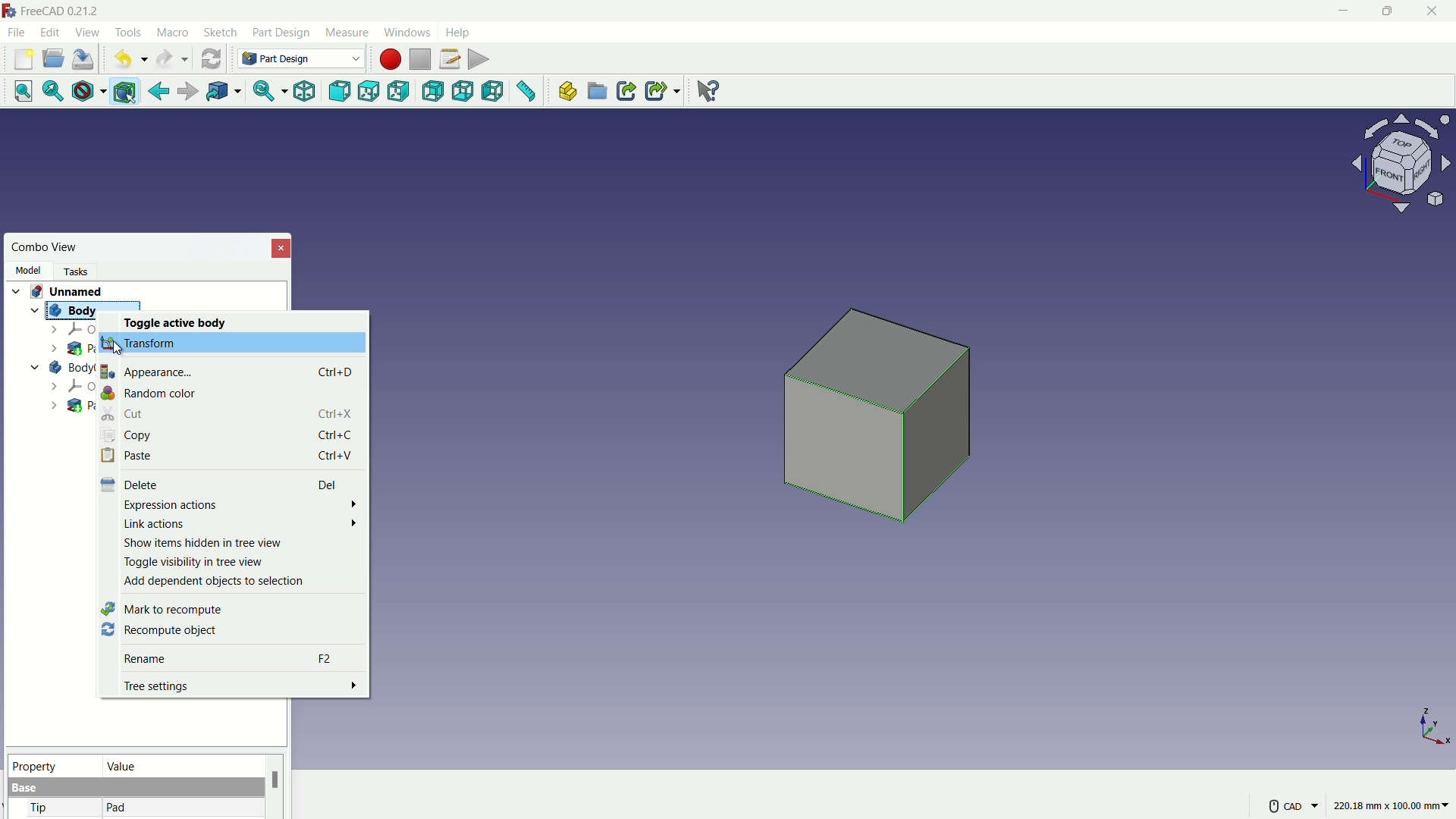 The width and height of the screenshot is (1456, 819). I want to click on create part, so click(566, 92).